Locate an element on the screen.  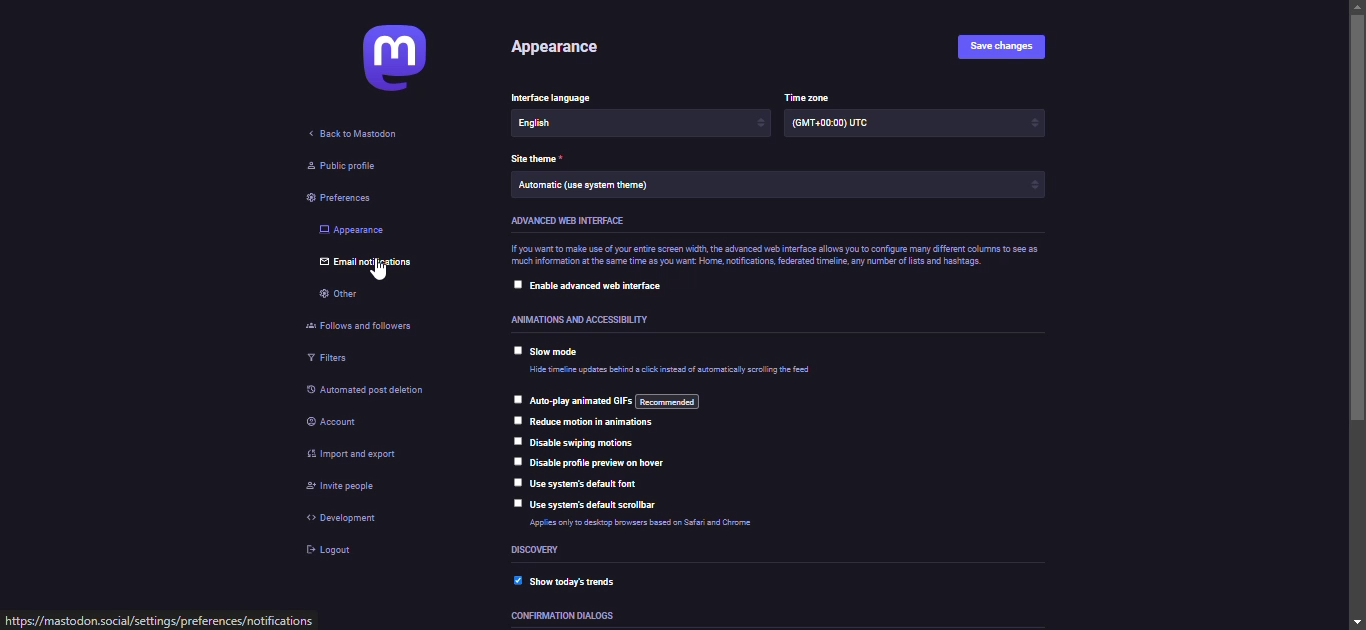
reduce motion in animations is located at coordinates (594, 423).